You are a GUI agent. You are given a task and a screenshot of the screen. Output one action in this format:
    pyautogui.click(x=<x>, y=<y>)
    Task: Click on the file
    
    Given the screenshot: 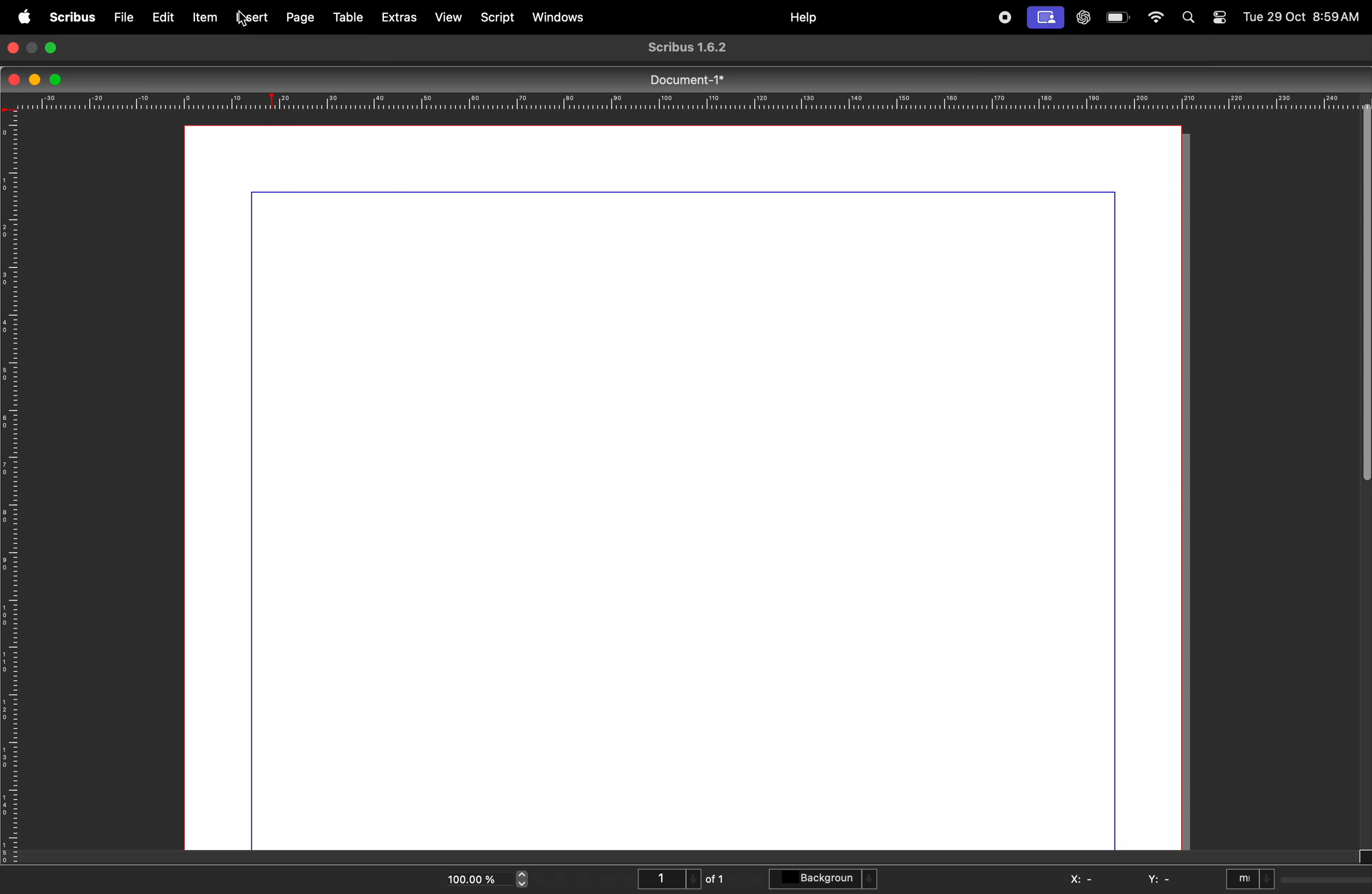 What is the action you would take?
    pyautogui.click(x=121, y=16)
    